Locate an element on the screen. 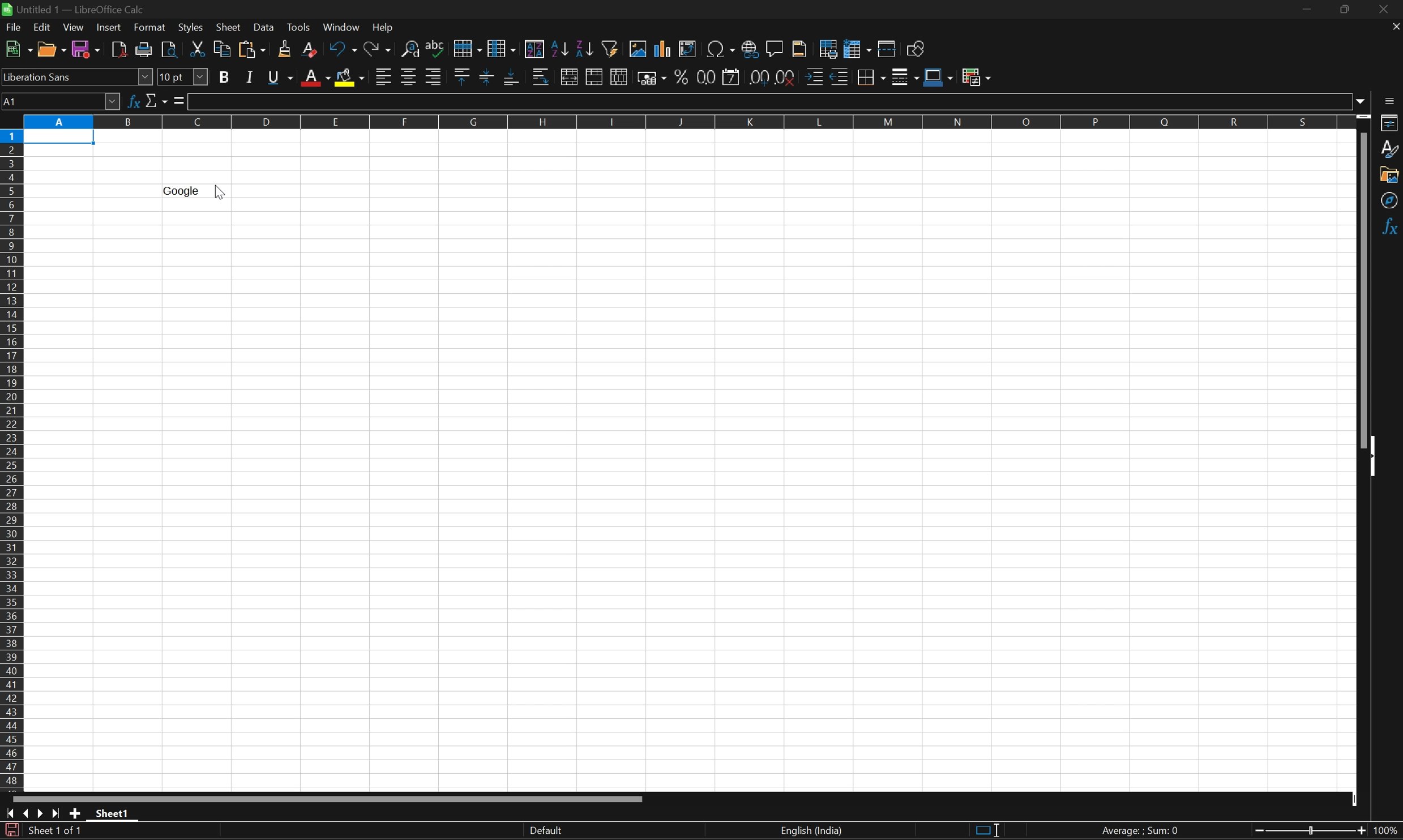 This screenshot has height=840, width=1403. Border style is located at coordinates (906, 76).